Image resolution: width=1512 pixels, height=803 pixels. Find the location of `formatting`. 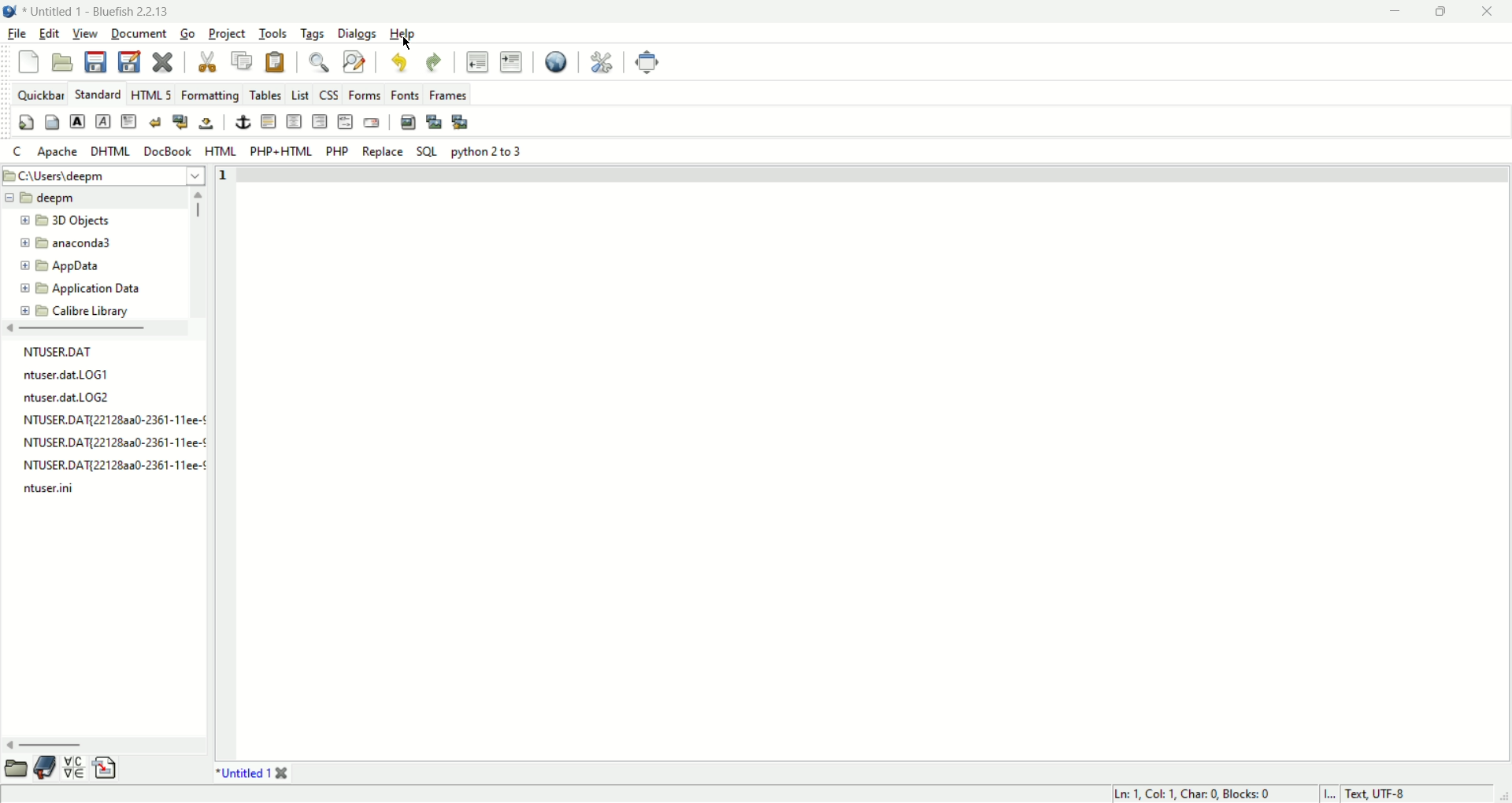

formatting is located at coordinates (209, 94).